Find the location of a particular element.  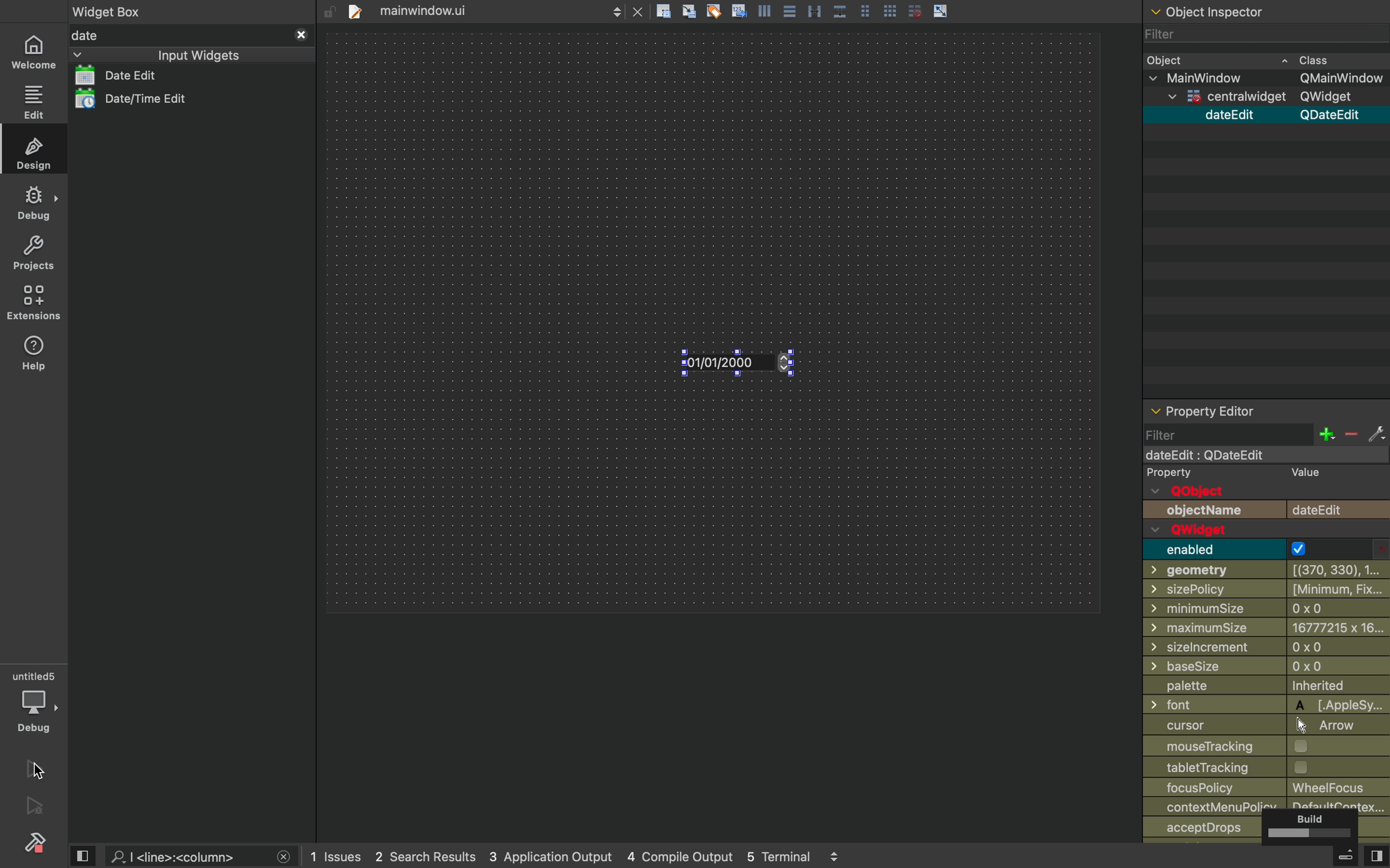

grid view medium is located at coordinates (864, 10).